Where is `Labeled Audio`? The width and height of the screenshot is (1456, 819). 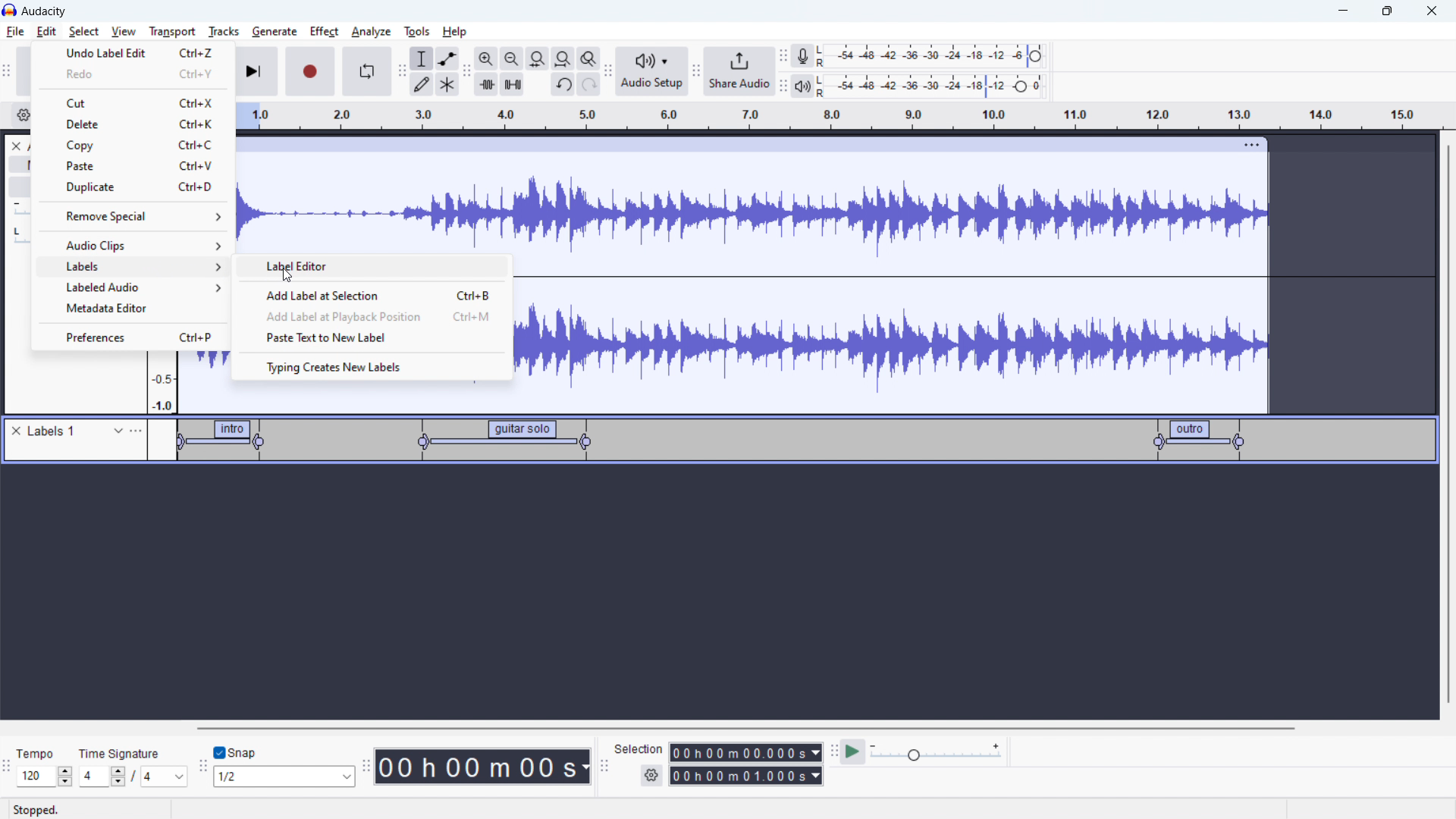 Labeled Audio is located at coordinates (141, 285).